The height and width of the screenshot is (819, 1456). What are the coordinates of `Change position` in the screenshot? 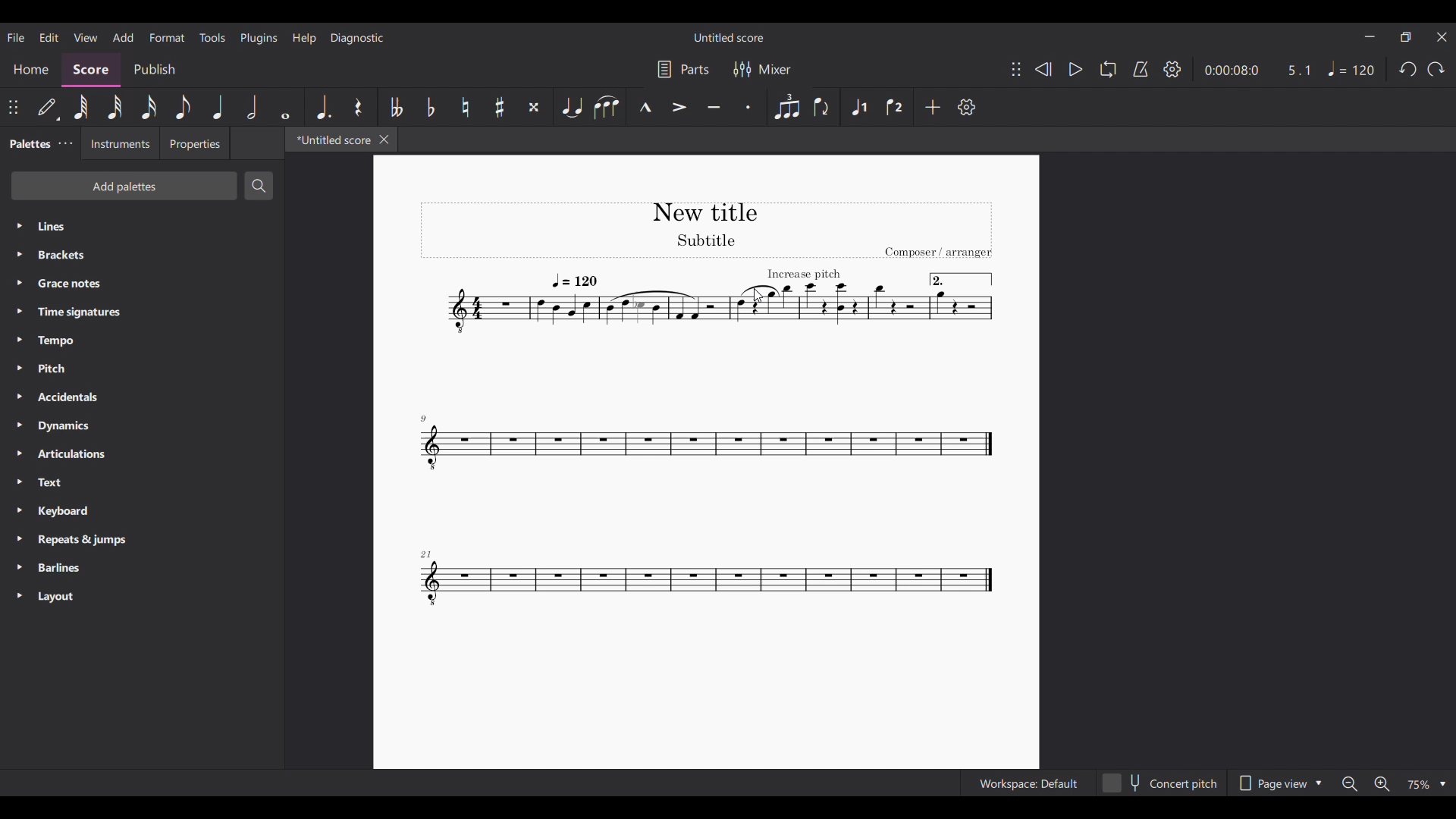 It's located at (14, 107).